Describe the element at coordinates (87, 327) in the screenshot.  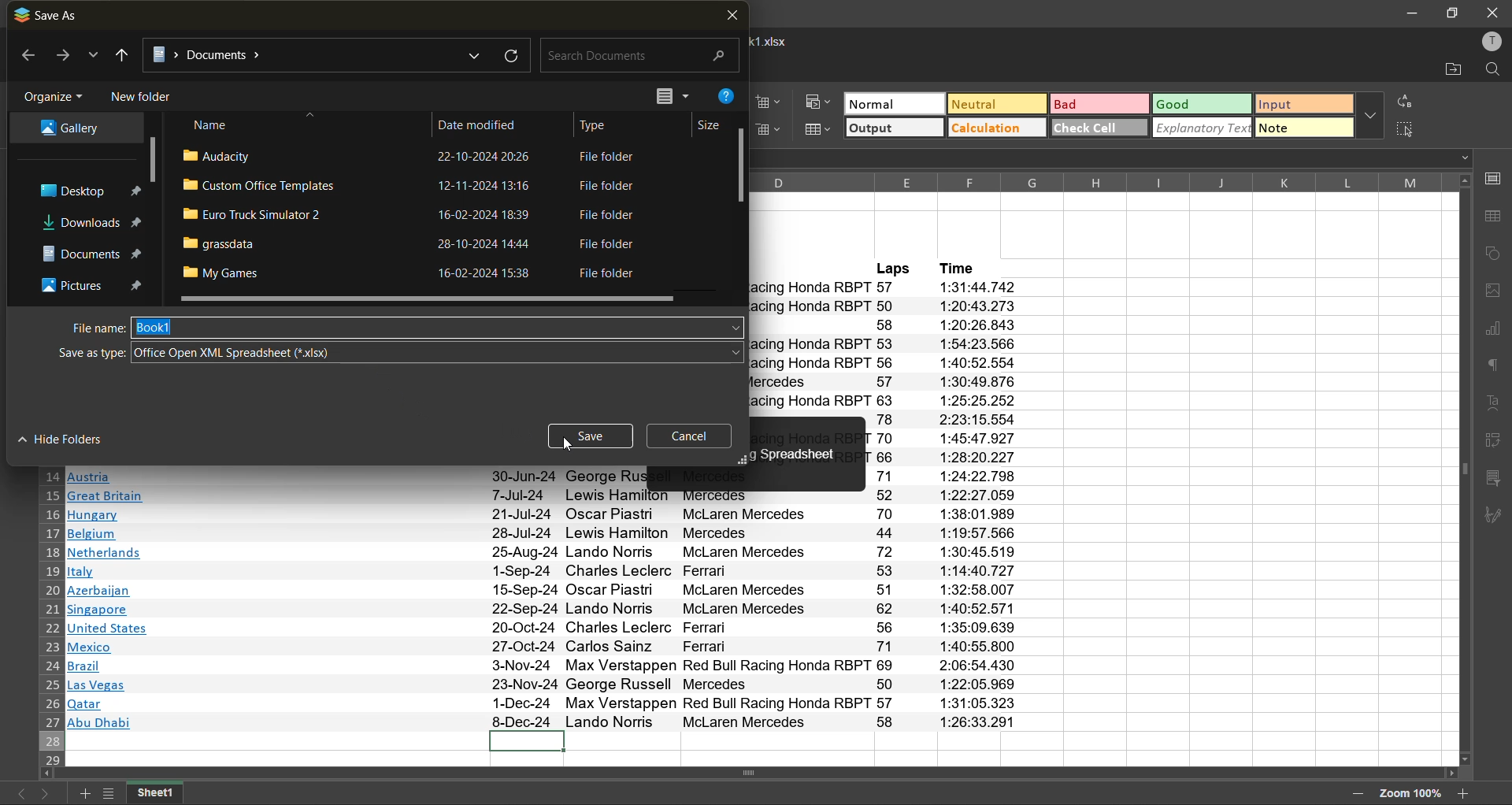
I see `file name` at that location.